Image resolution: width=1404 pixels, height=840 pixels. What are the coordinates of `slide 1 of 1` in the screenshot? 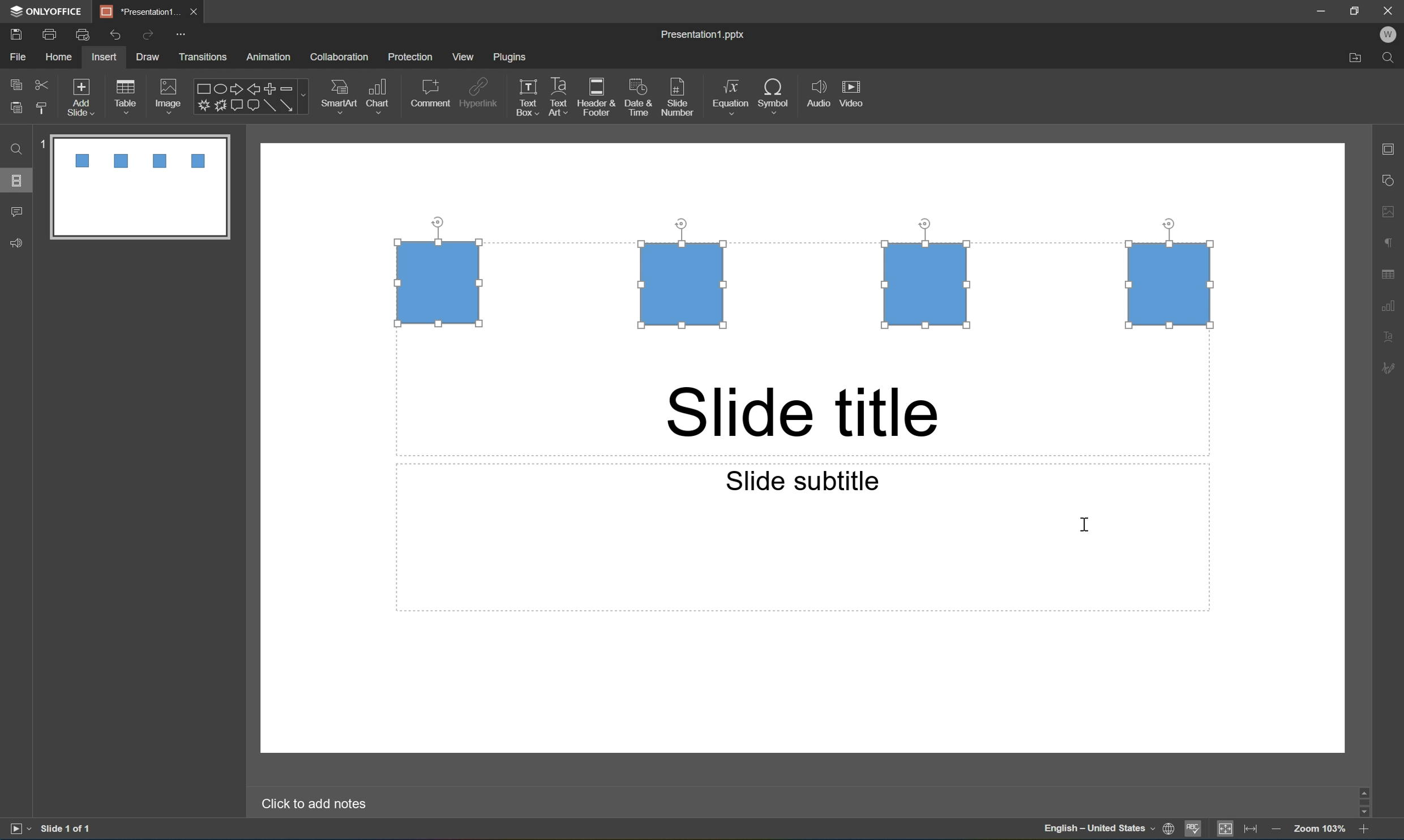 It's located at (66, 830).